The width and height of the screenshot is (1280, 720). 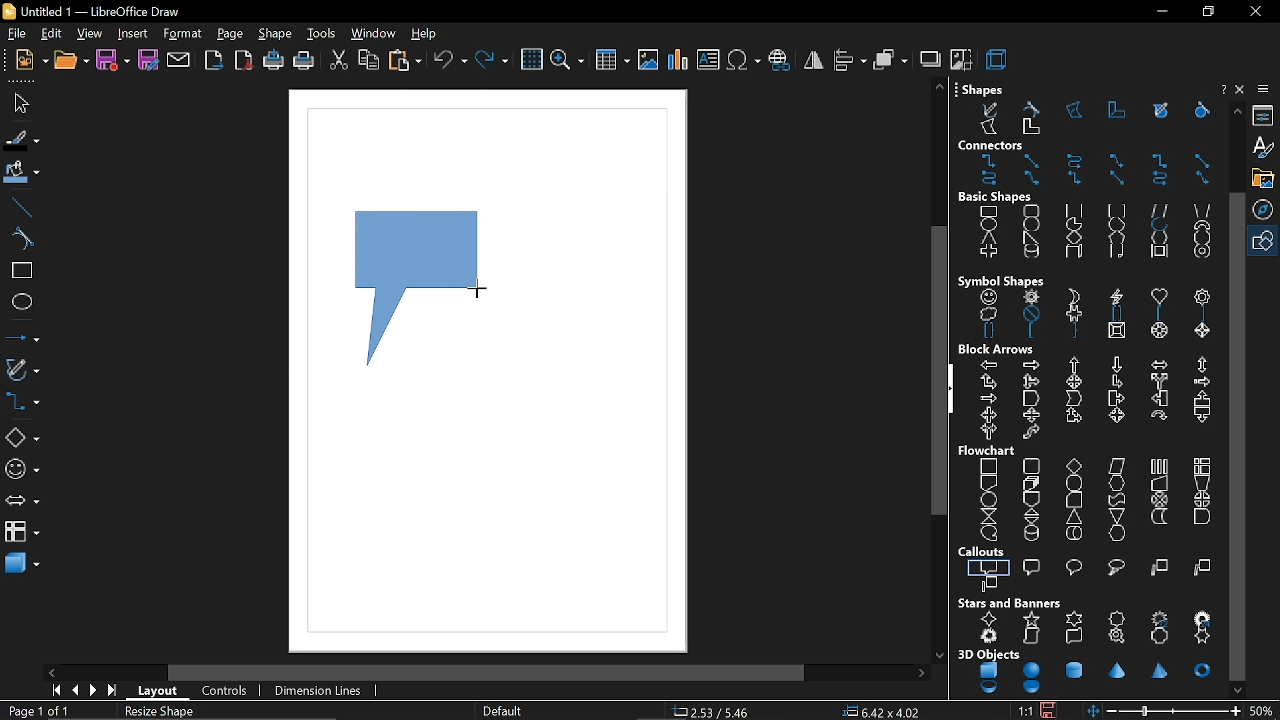 What do you see at coordinates (951, 390) in the screenshot?
I see `hide` at bounding box center [951, 390].